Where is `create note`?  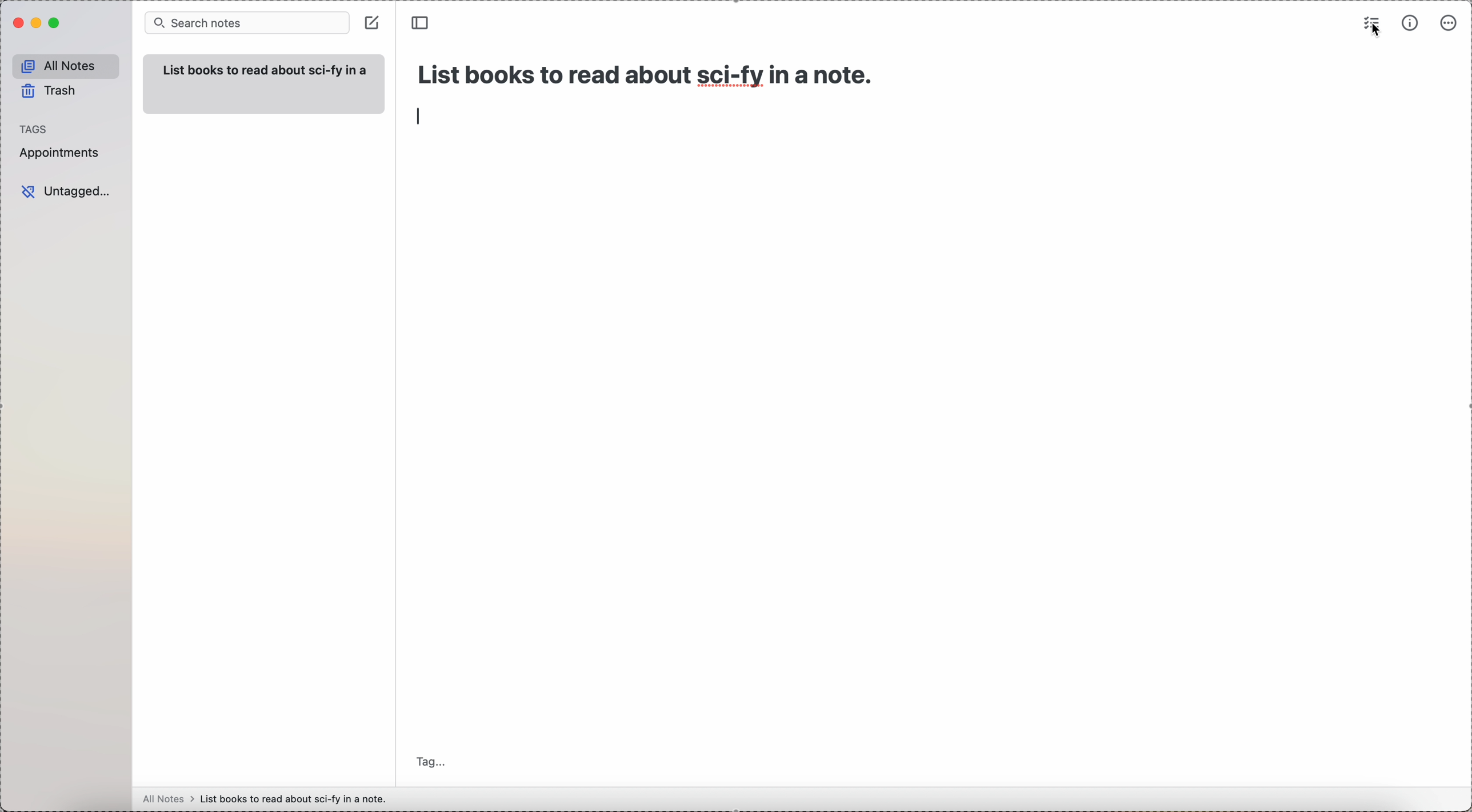 create note is located at coordinates (374, 21).